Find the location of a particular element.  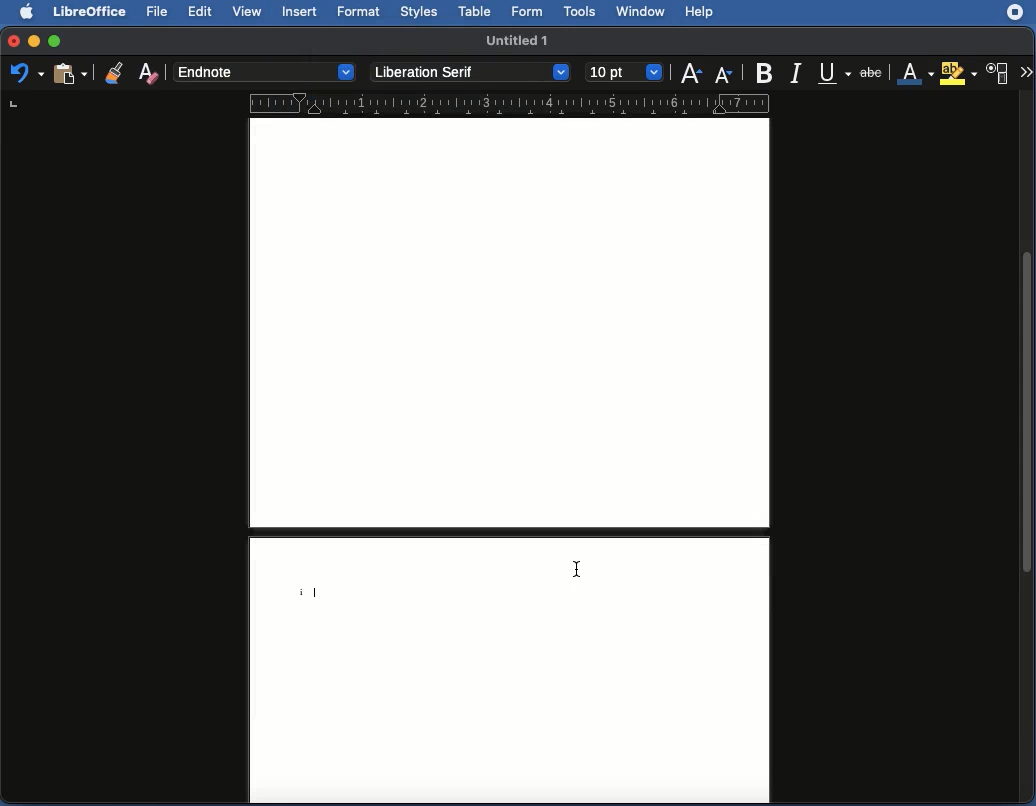

Maximize is located at coordinates (54, 39).